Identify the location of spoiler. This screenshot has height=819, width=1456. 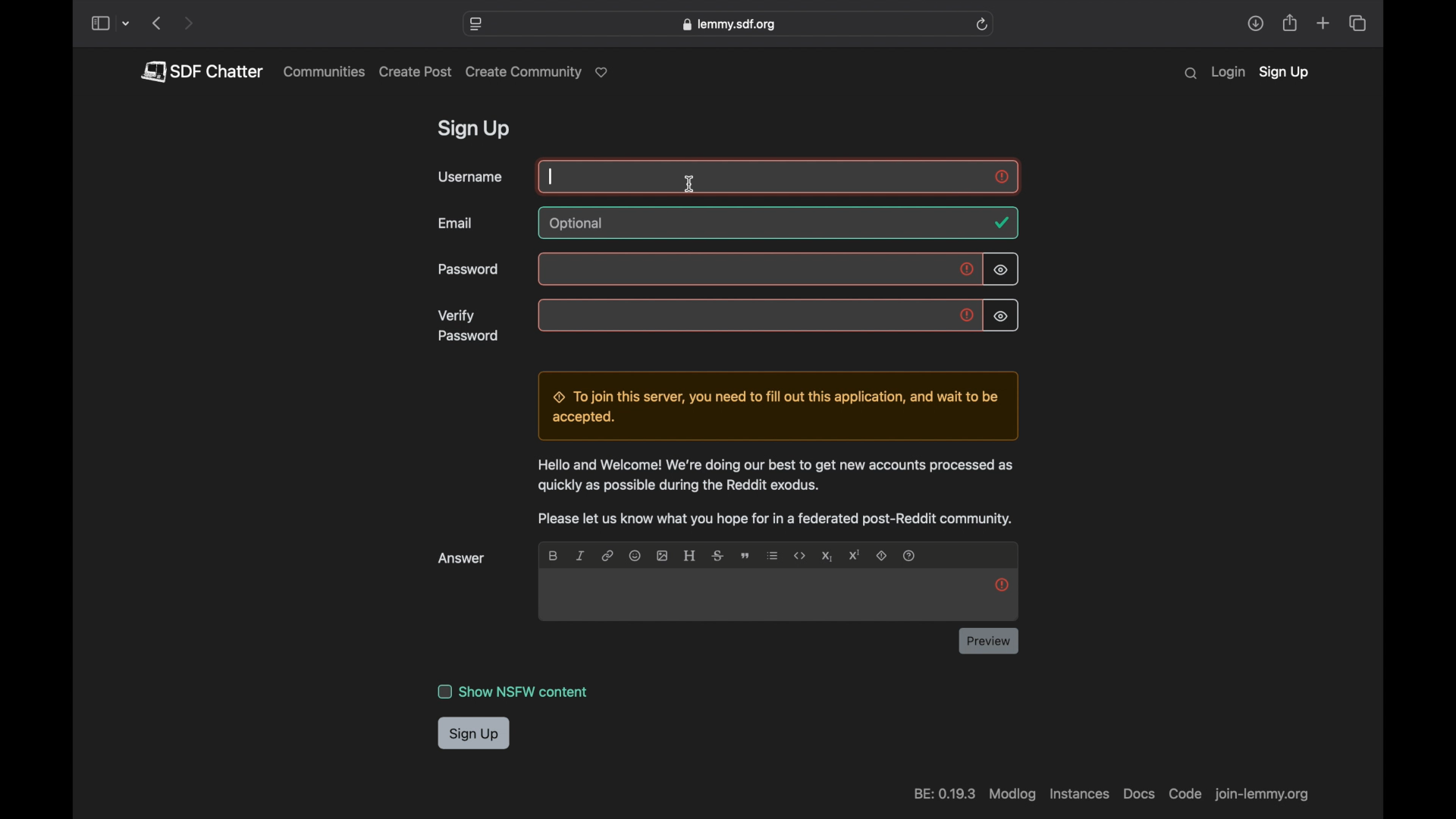
(883, 557).